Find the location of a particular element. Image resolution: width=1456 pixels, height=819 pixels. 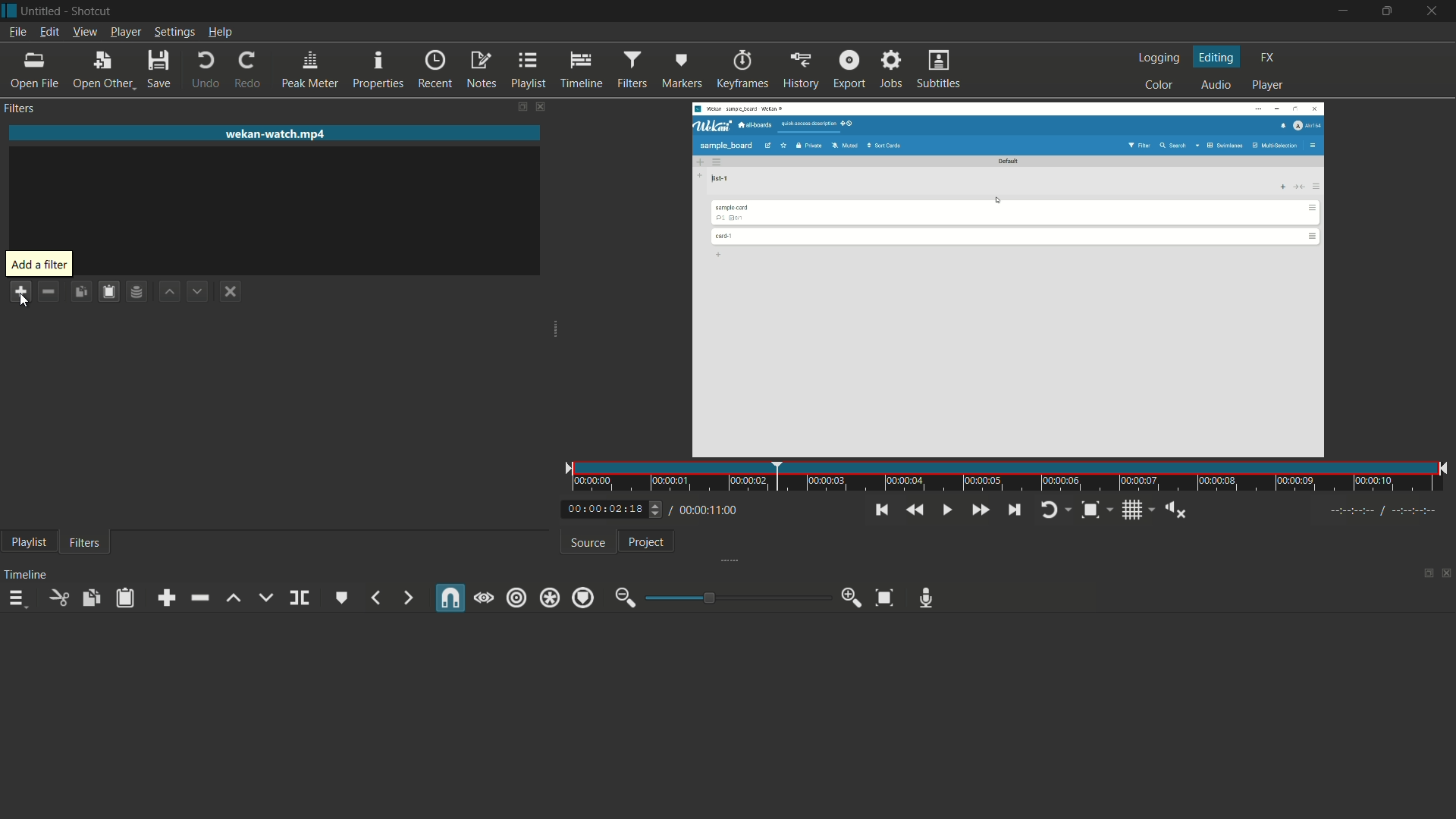

total time is located at coordinates (712, 510).